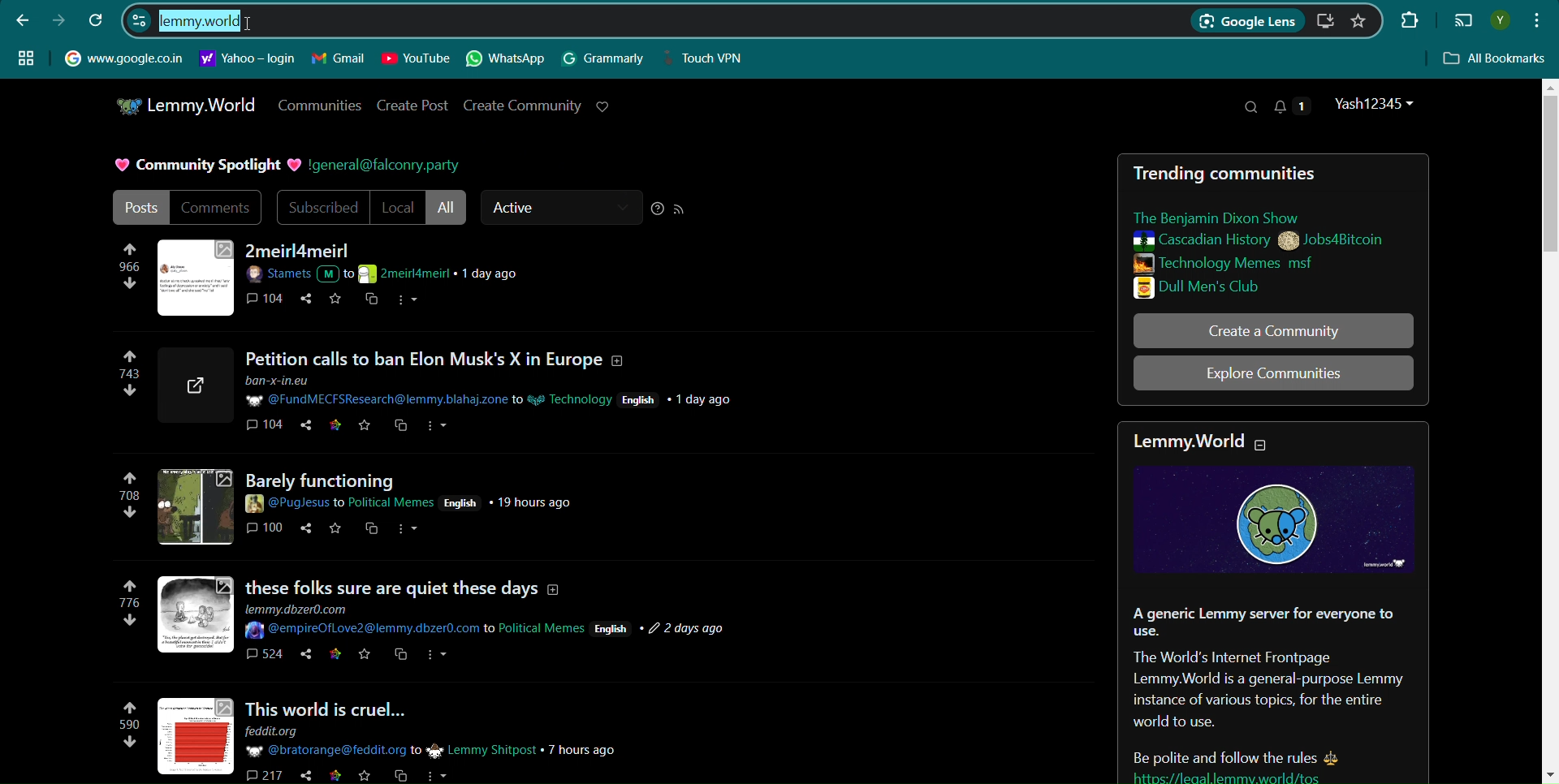 The image size is (1559, 784). What do you see at coordinates (1262, 446) in the screenshot?
I see `Collapse` at bounding box center [1262, 446].